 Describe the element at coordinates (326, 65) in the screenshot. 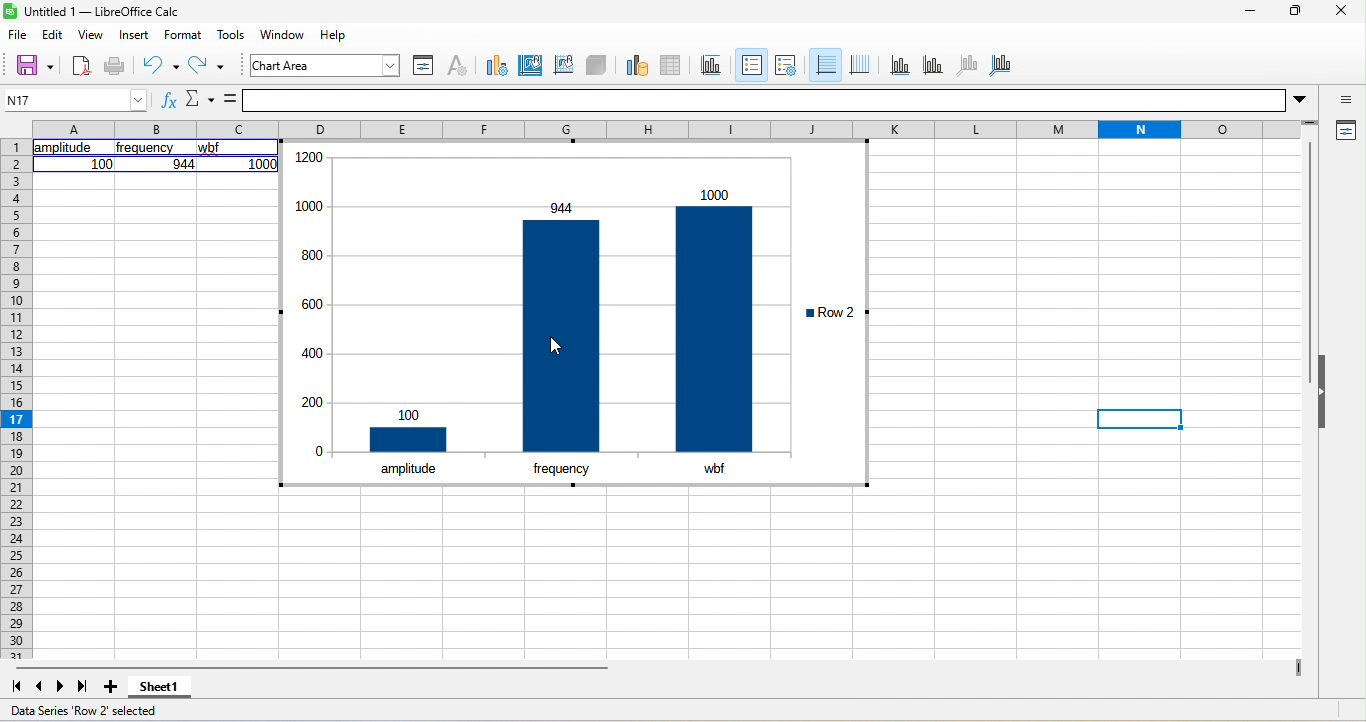

I see `chart area` at that location.